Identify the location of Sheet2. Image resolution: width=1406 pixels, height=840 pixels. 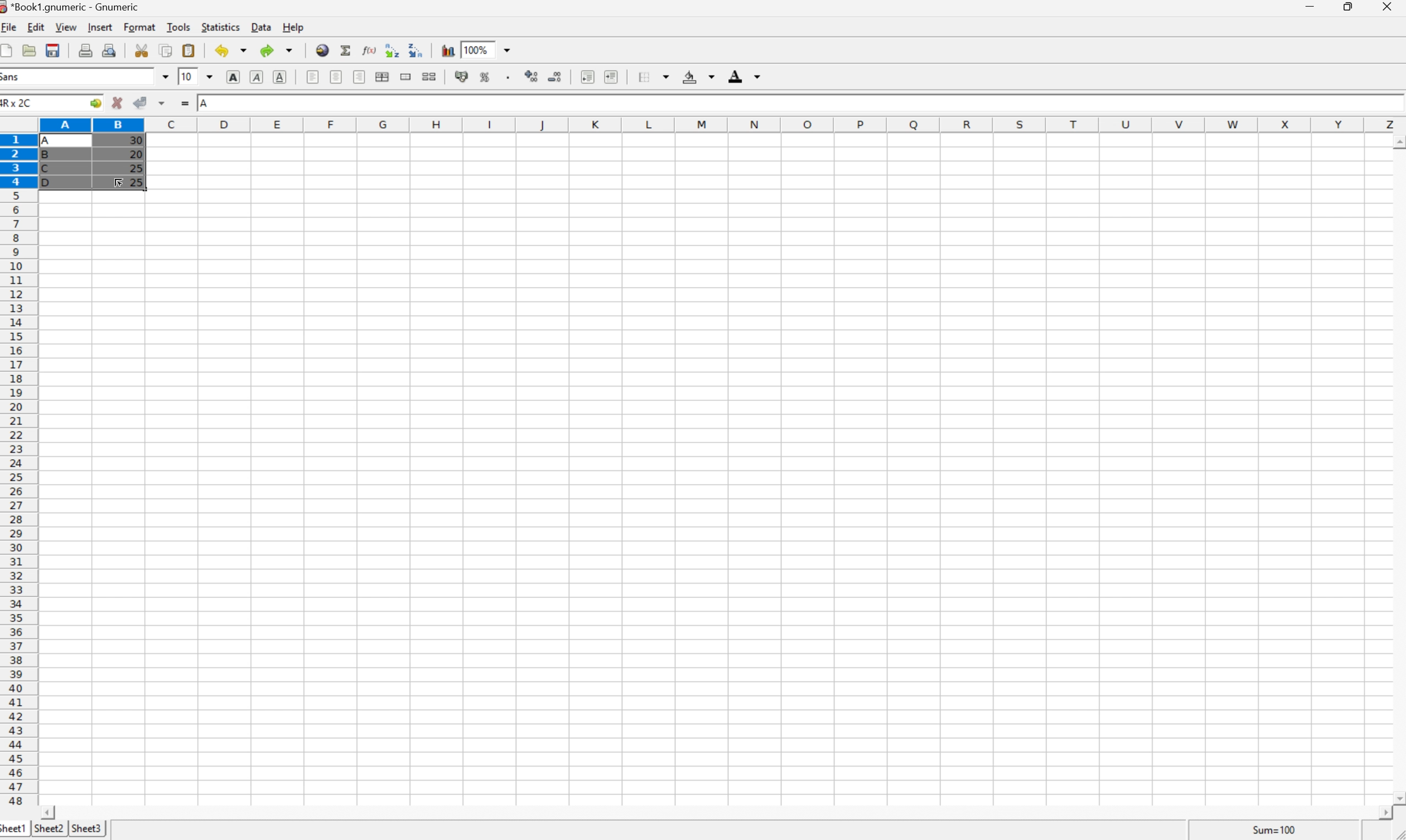
(49, 829).